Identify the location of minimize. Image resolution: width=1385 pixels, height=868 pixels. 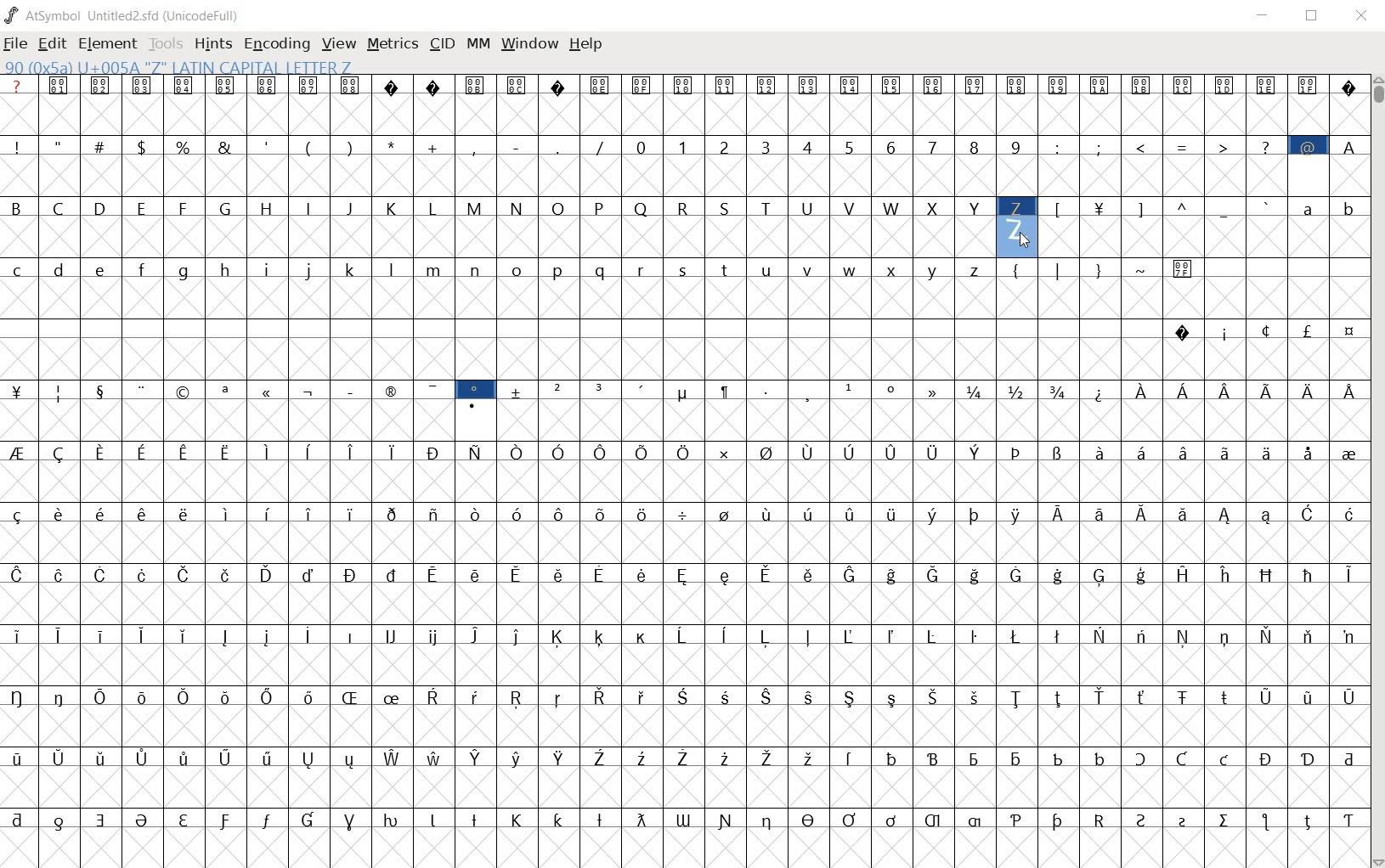
(1266, 18).